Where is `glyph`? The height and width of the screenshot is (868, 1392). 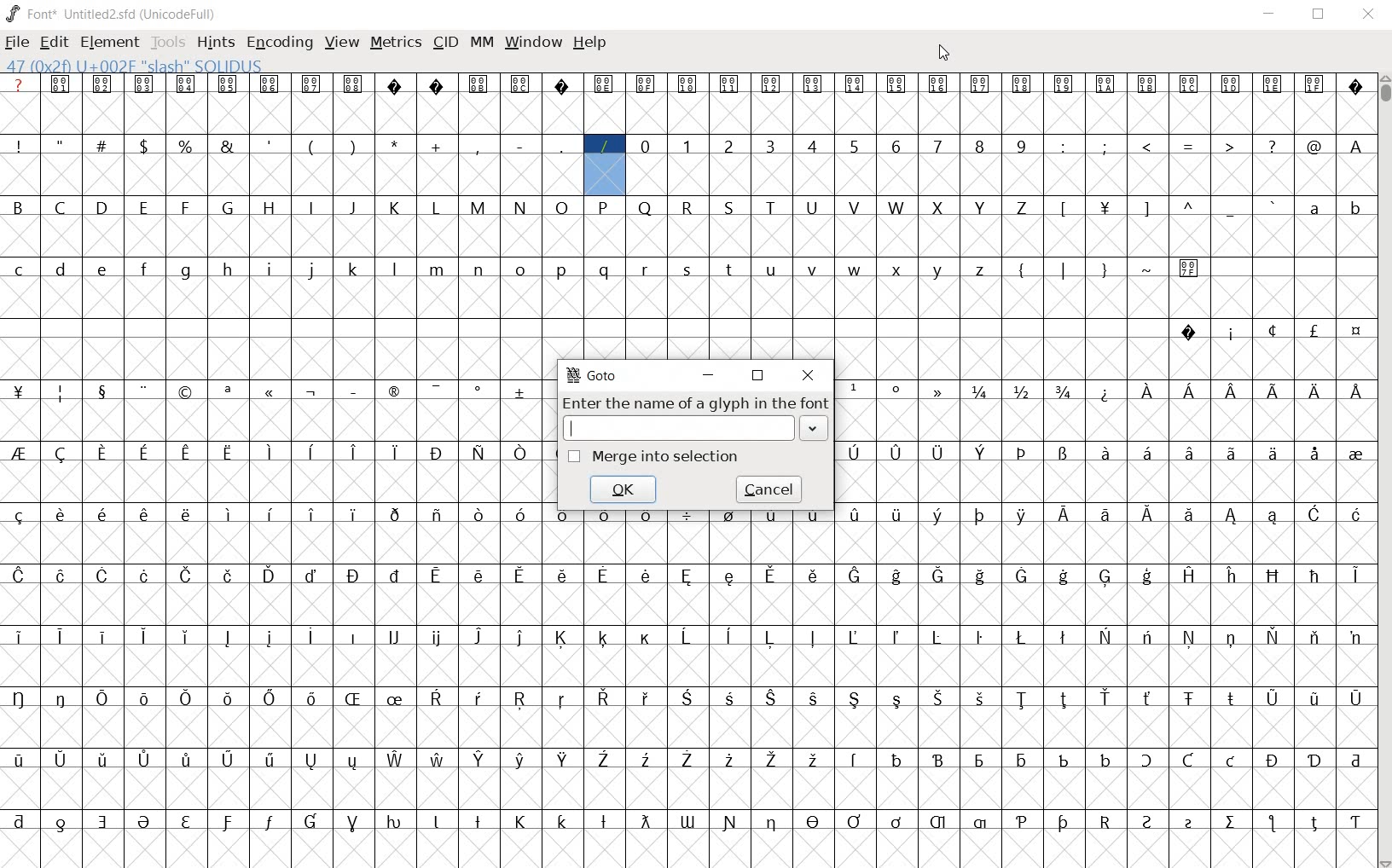
glyph is located at coordinates (436, 697).